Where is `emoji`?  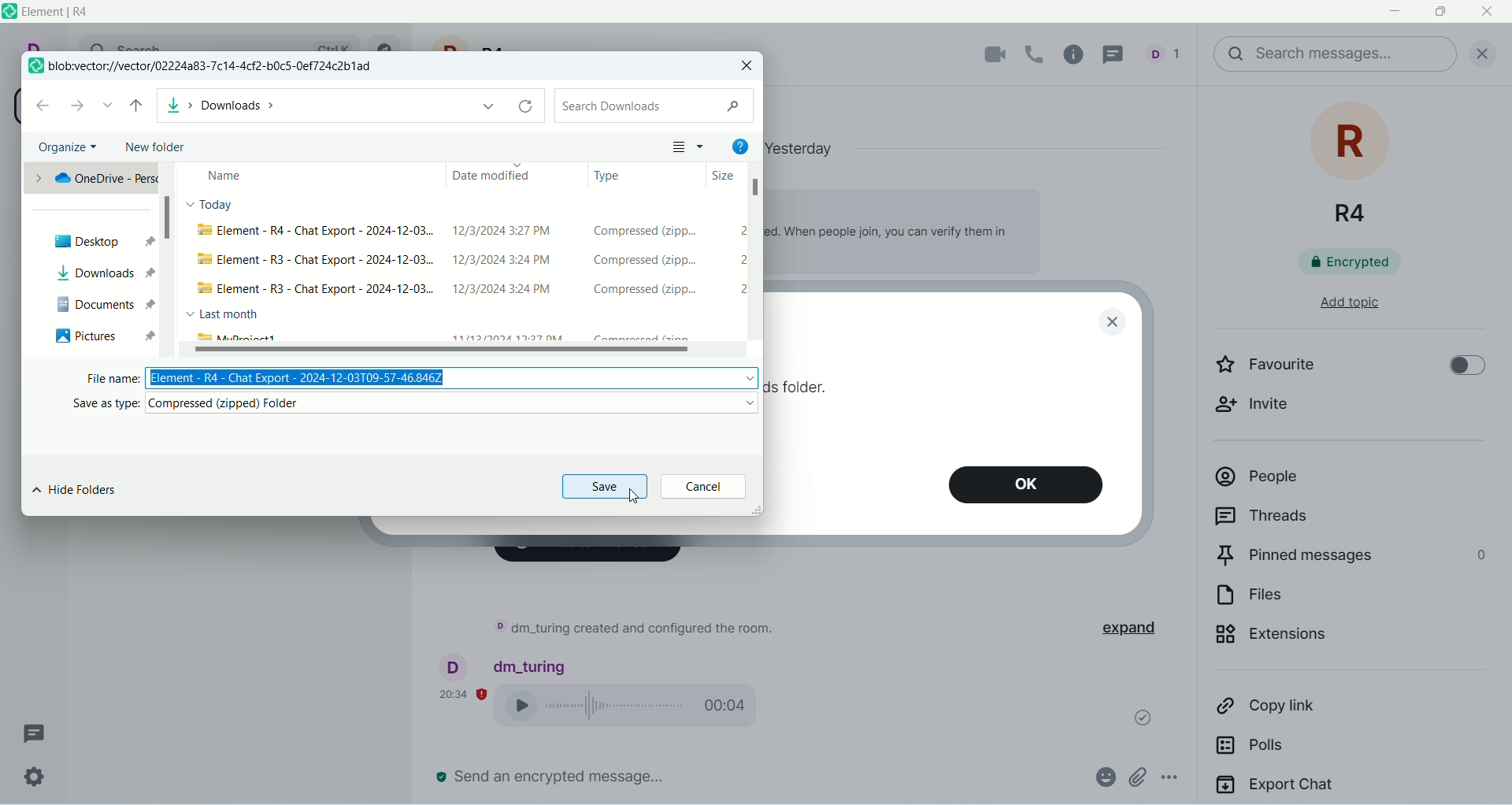
emoji is located at coordinates (1103, 775).